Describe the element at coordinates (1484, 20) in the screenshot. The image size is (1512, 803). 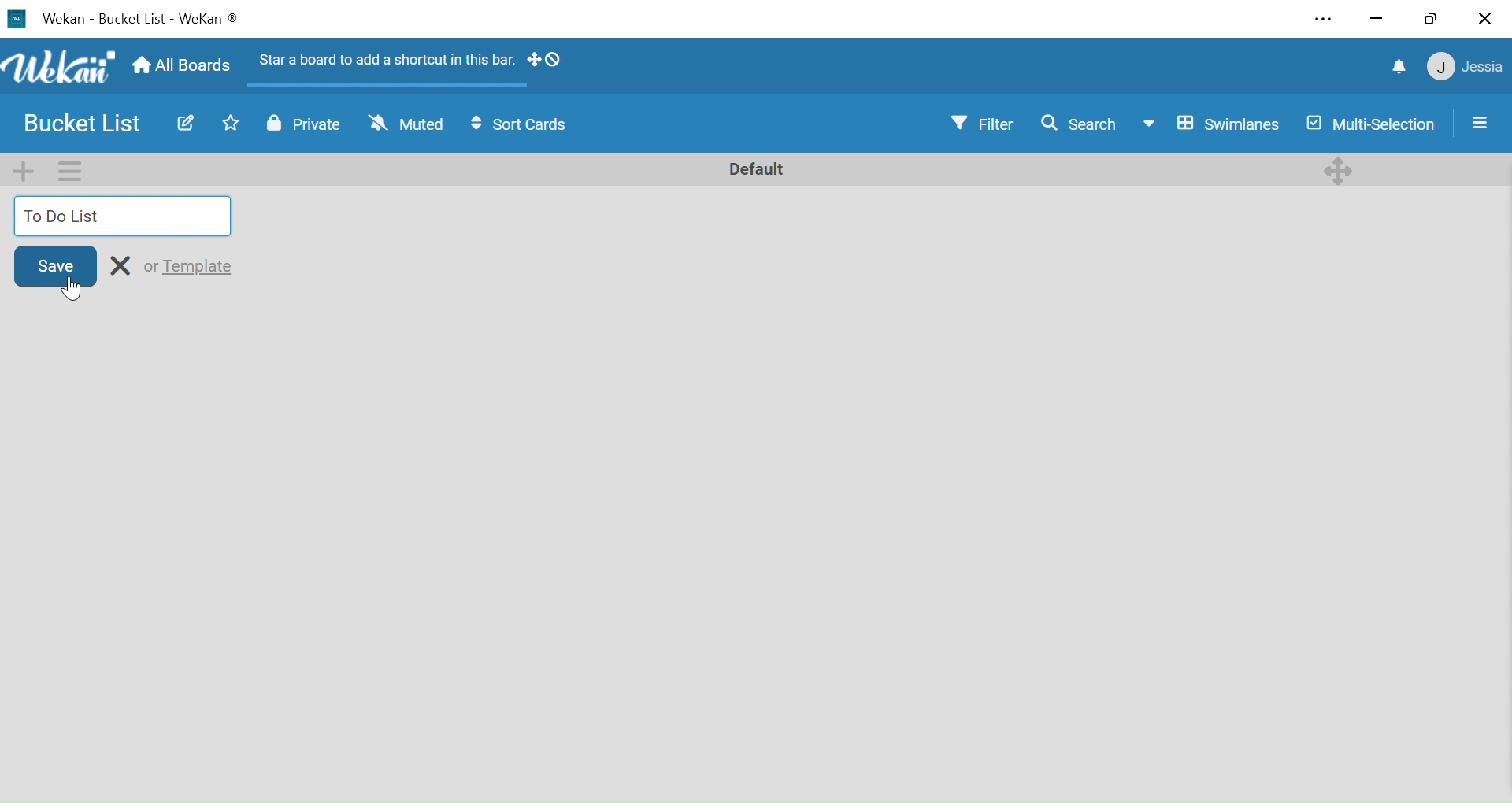
I see `Close` at that location.